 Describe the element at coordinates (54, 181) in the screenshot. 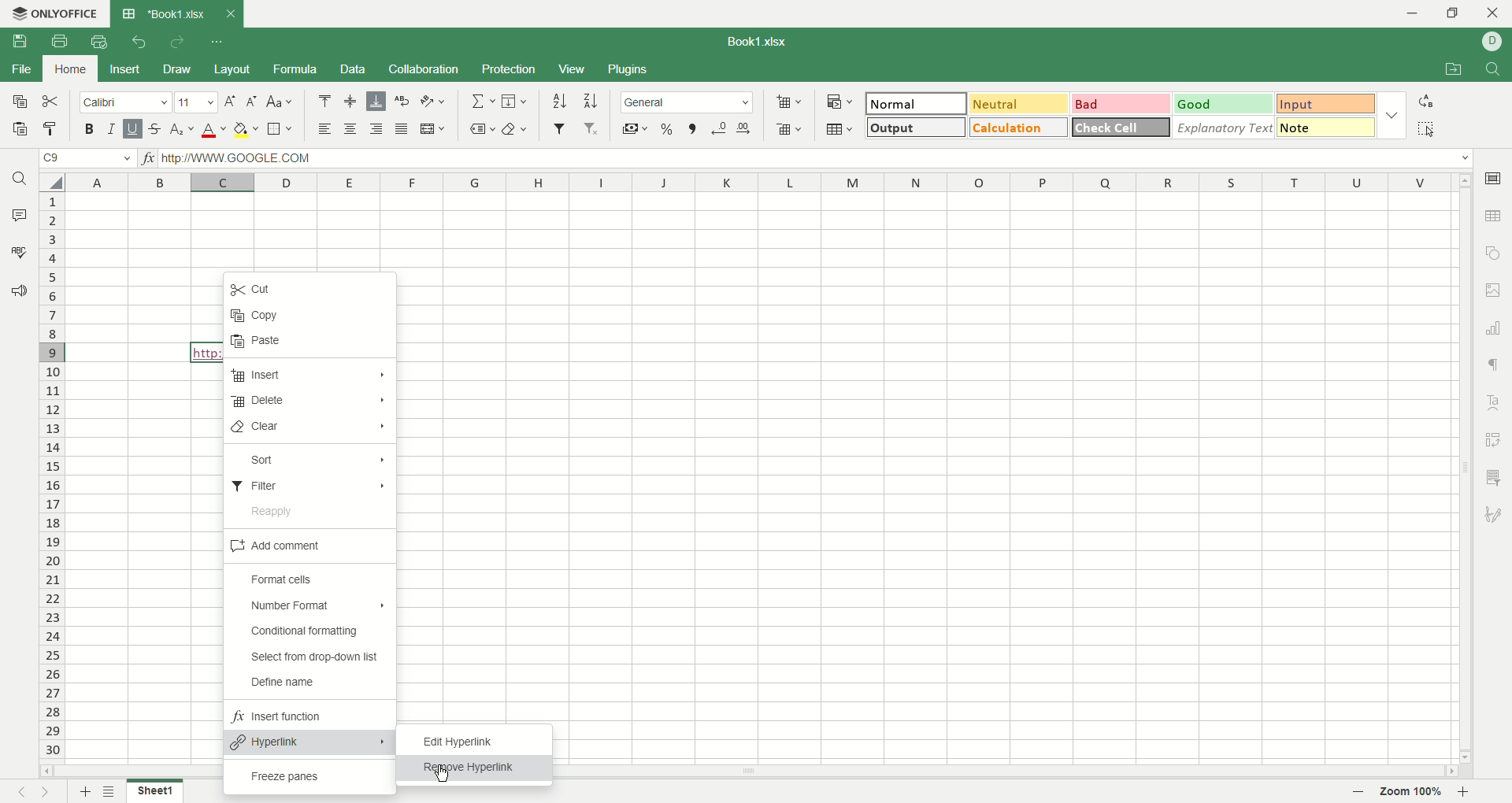

I see `select all` at that location.